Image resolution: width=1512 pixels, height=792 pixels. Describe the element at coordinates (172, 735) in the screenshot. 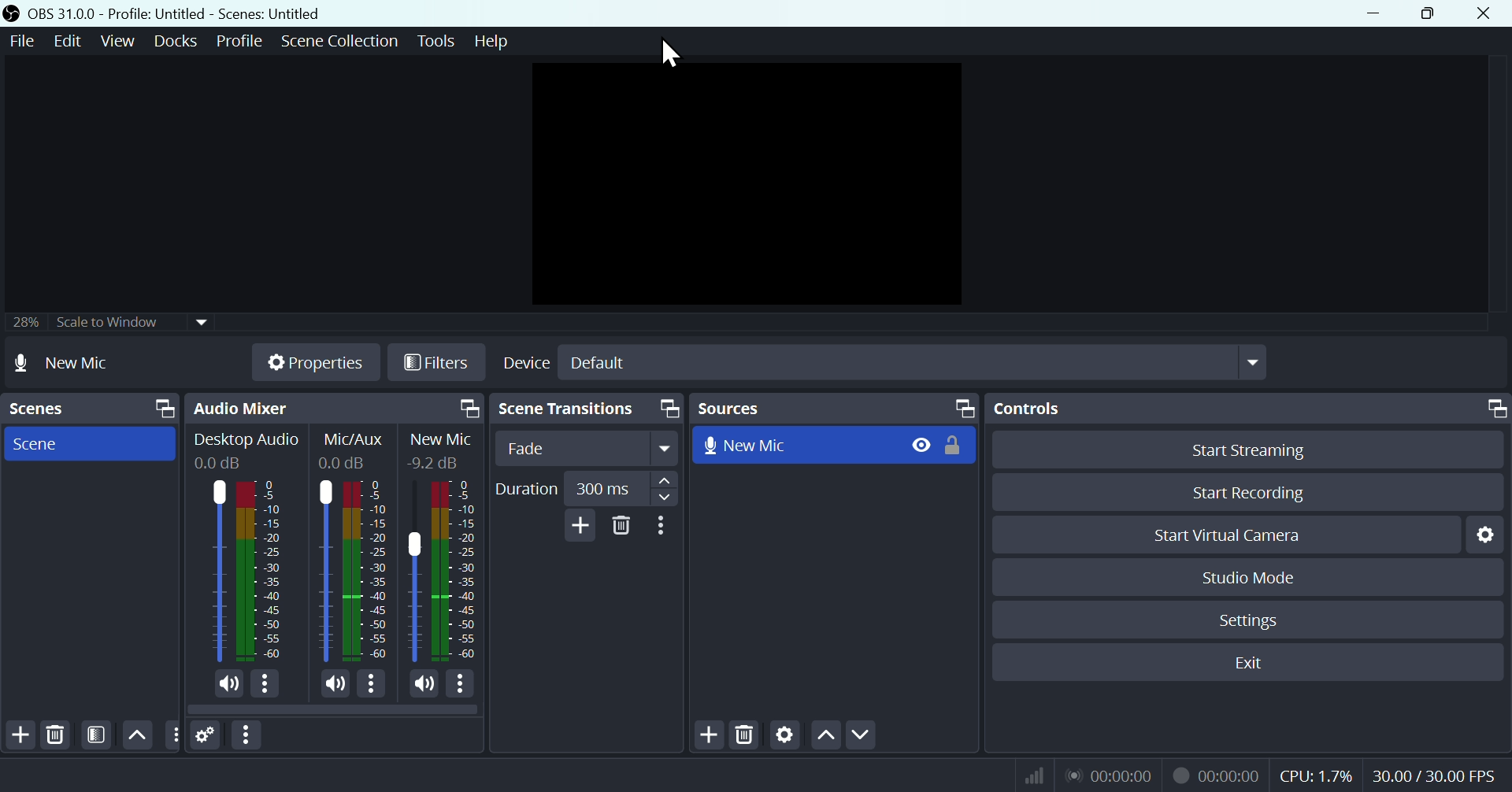

I see `` at that location.